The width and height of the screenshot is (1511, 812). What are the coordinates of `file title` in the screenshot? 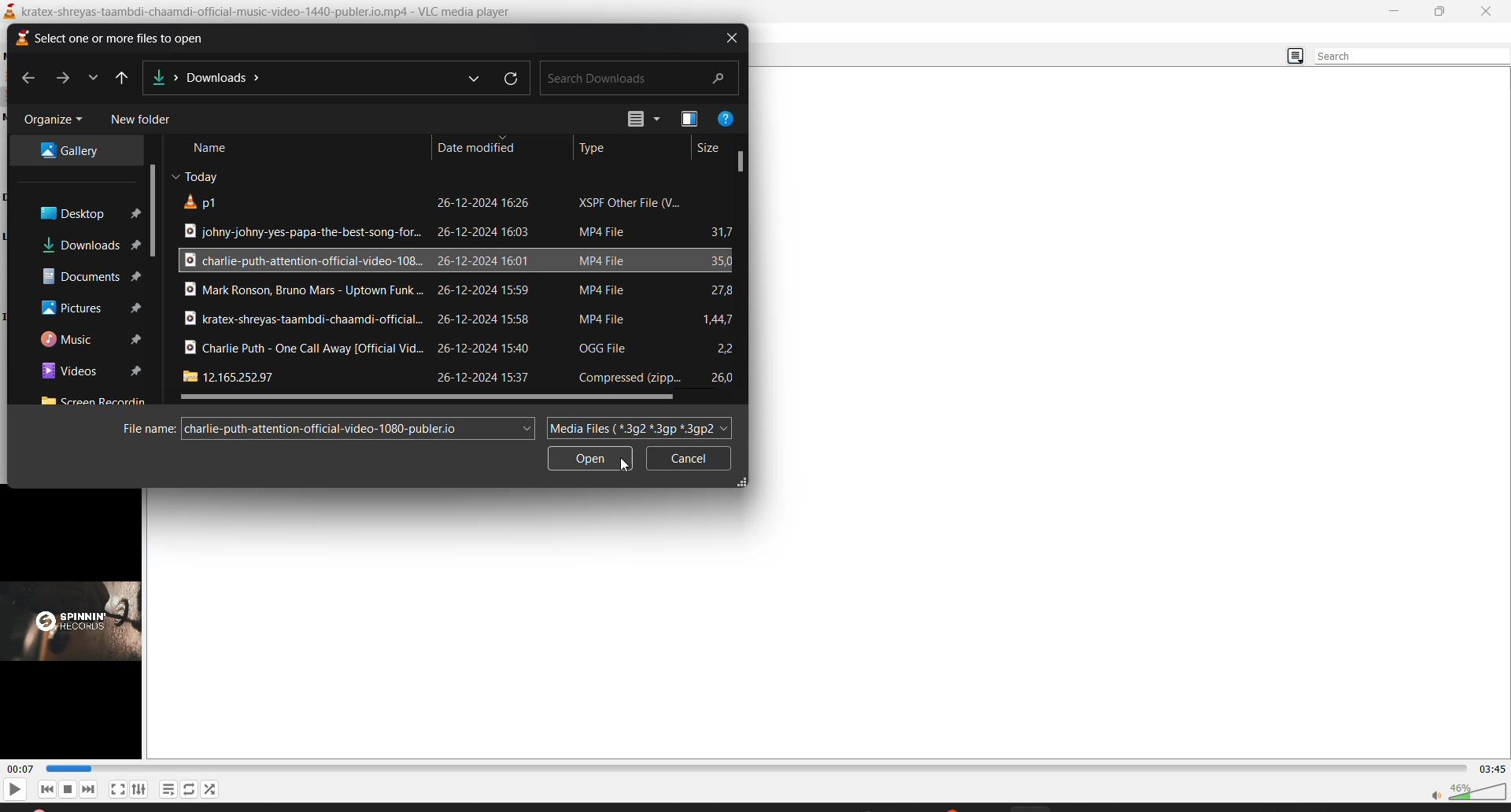 It's located at (301, 260).